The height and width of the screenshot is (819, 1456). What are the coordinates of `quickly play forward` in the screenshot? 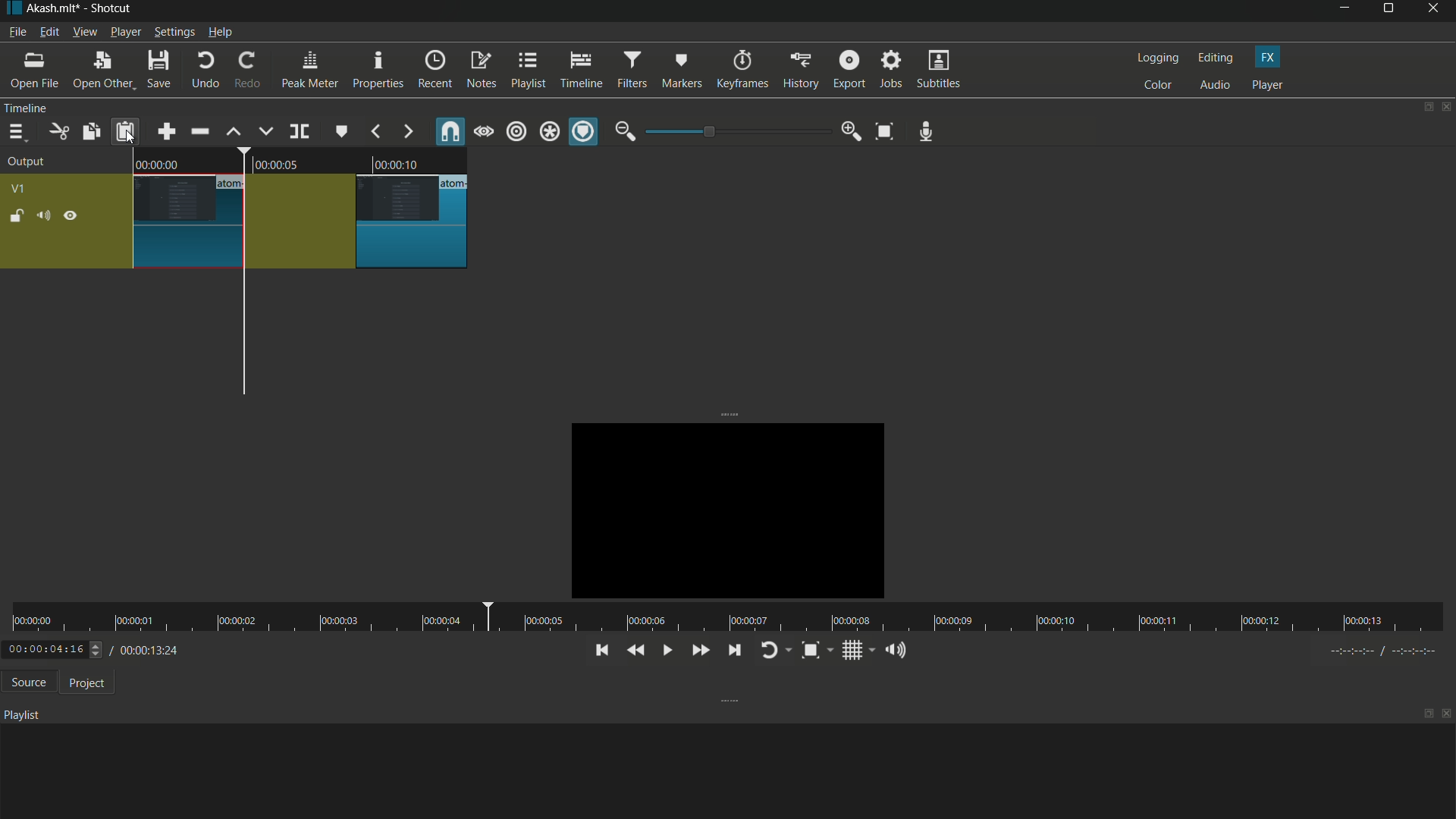 It's located at (698, 651).